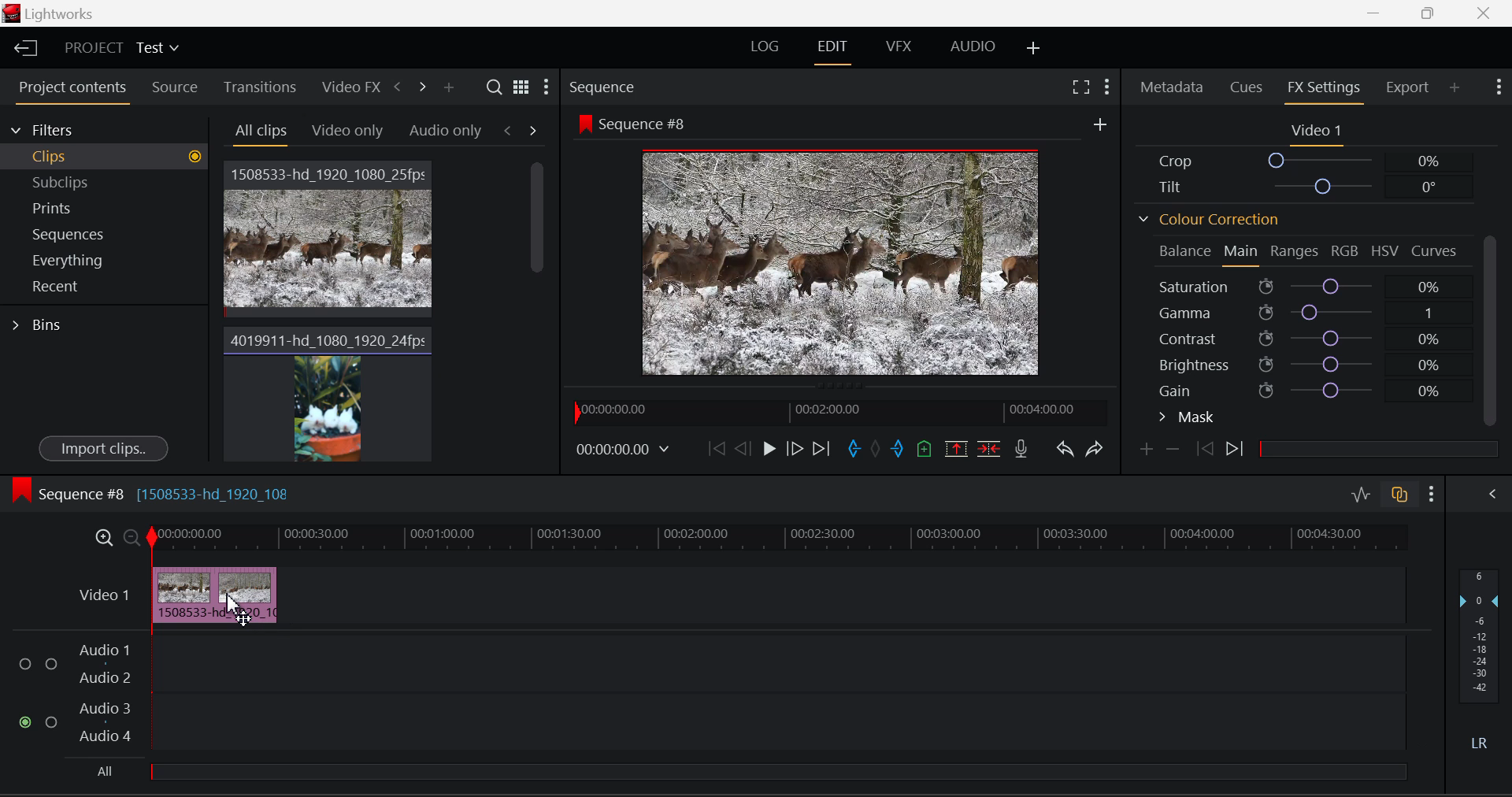 The width and height of the screenshot is (1512, 797). I want to click on Scroll Bar, so click(535, 237).